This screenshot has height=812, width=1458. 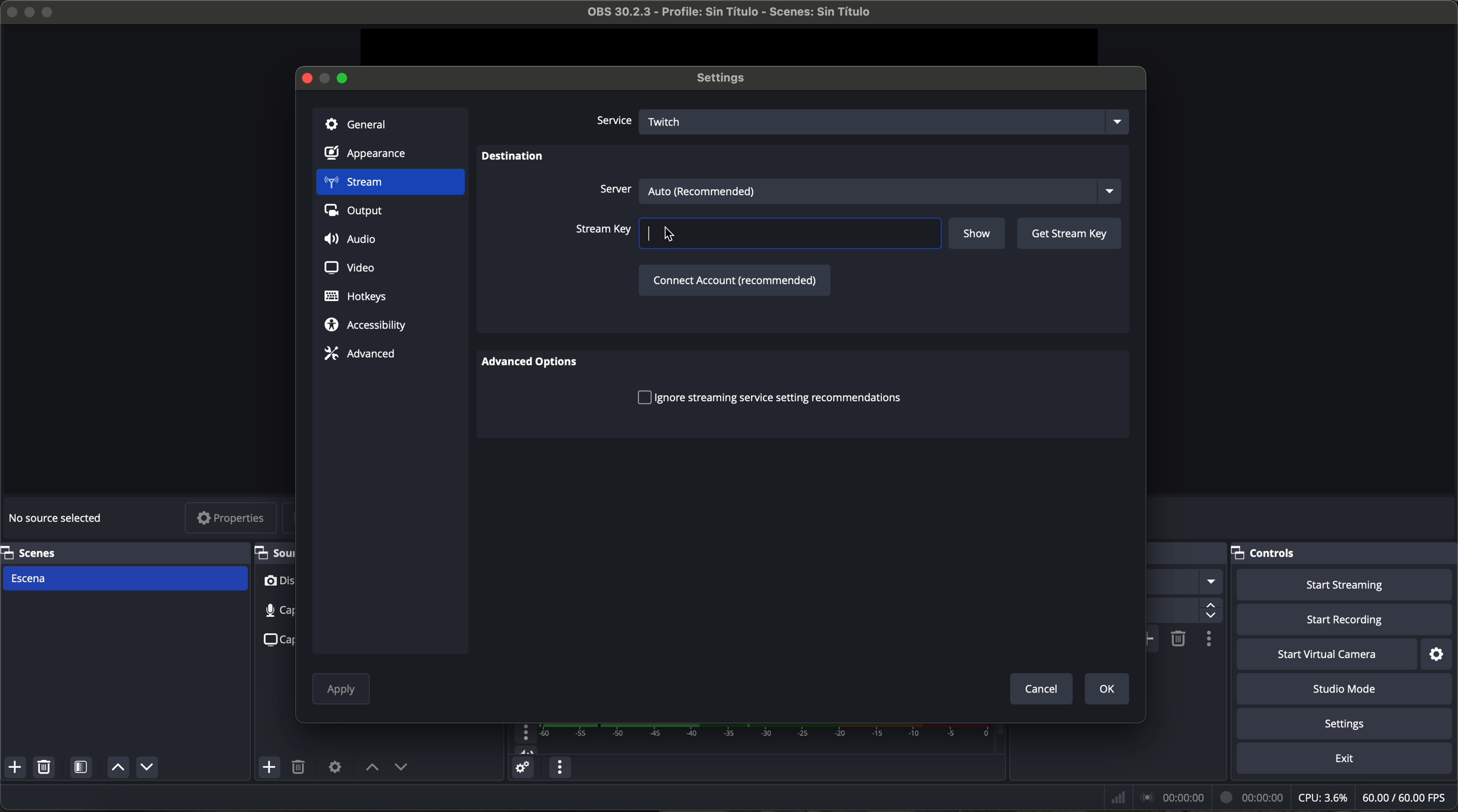 What do you see at coordinates (1347, 725) in the screenshot?
I see `settings` at bounding box center [1347, 725].